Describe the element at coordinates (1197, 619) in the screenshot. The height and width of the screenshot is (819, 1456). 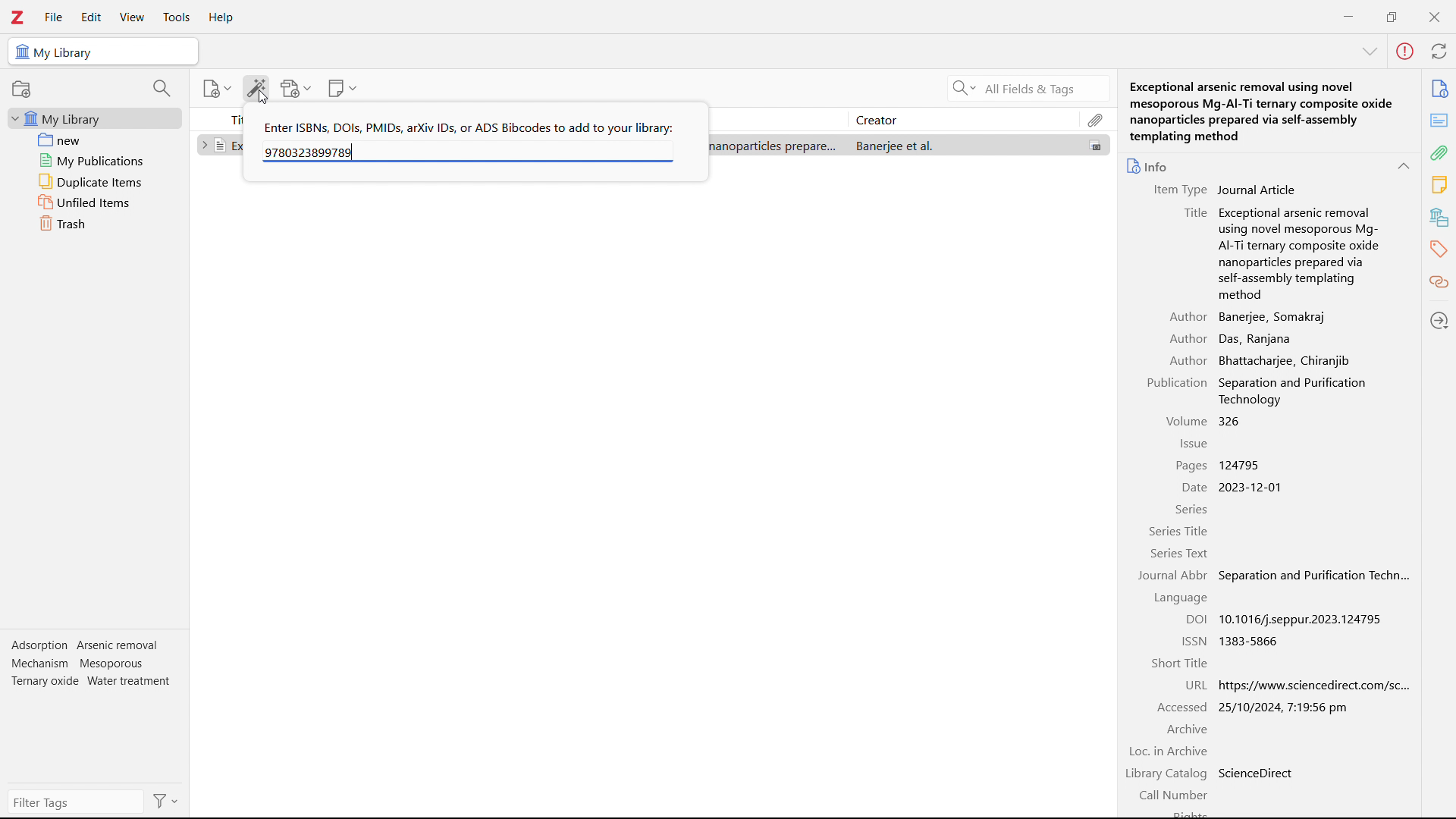
I see `DOI` at that location.